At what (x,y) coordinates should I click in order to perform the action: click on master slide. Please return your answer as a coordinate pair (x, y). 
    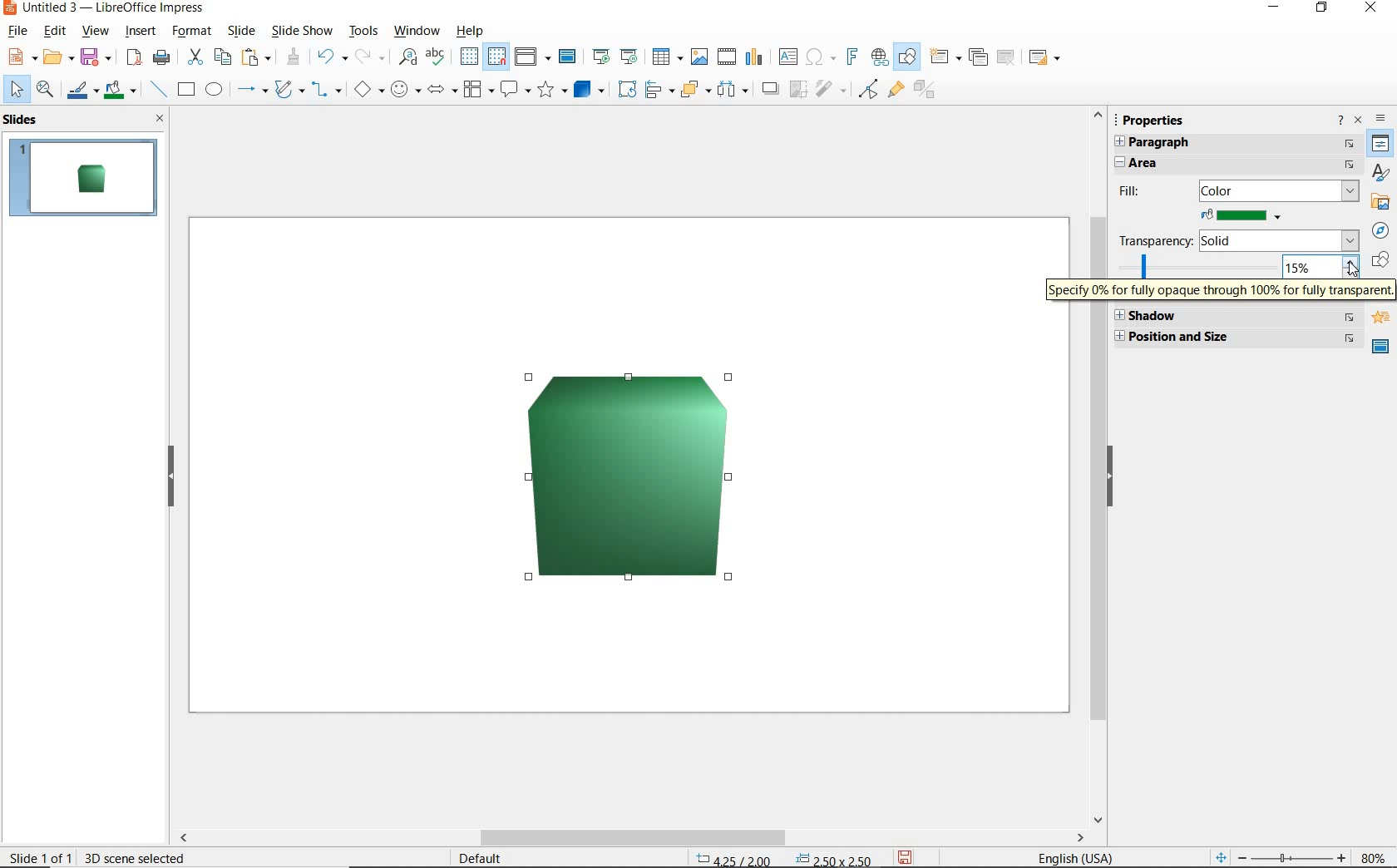
    Looking at the image, I should click on (568, 57).